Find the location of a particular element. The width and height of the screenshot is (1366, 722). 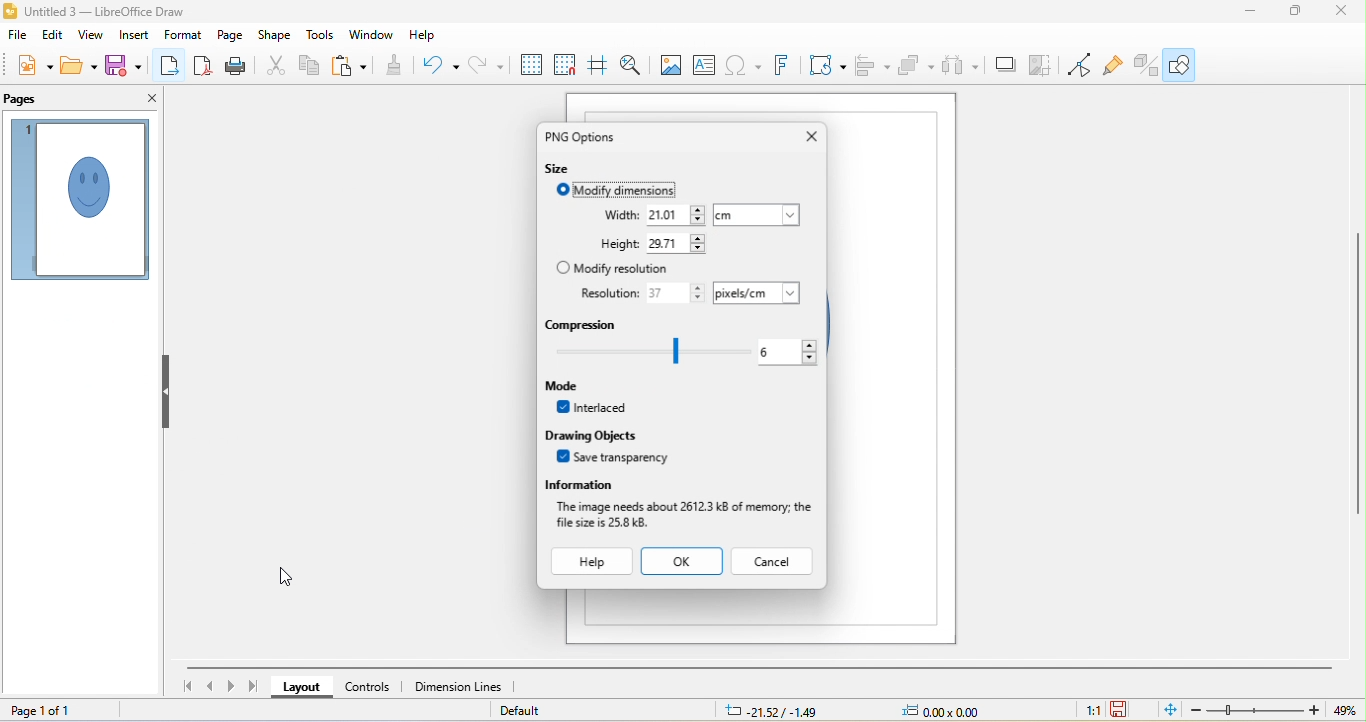

modify resolution is located at coordinates (614, 268).